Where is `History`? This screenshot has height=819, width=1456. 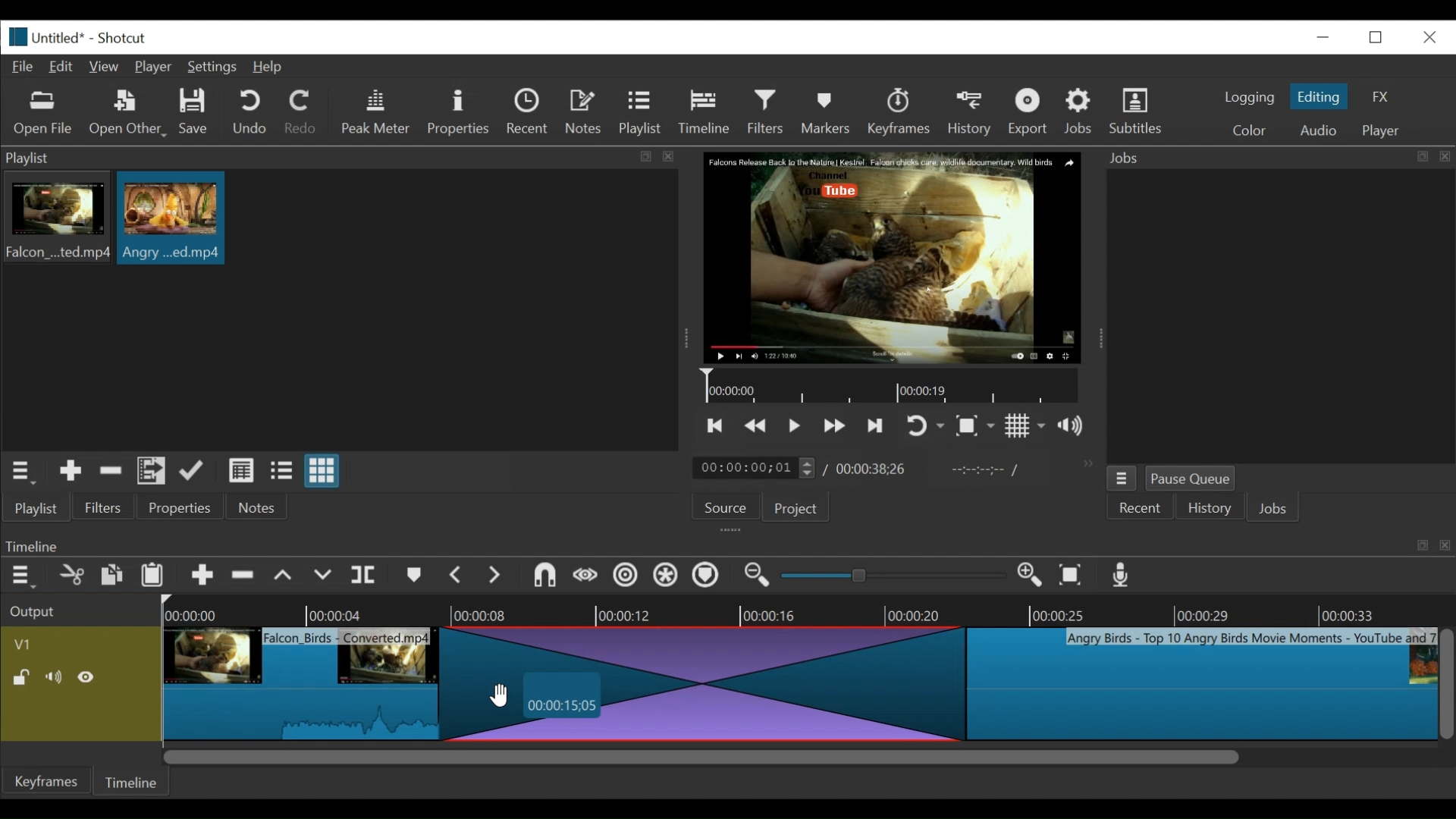
History is located at coordinates (972, 111).